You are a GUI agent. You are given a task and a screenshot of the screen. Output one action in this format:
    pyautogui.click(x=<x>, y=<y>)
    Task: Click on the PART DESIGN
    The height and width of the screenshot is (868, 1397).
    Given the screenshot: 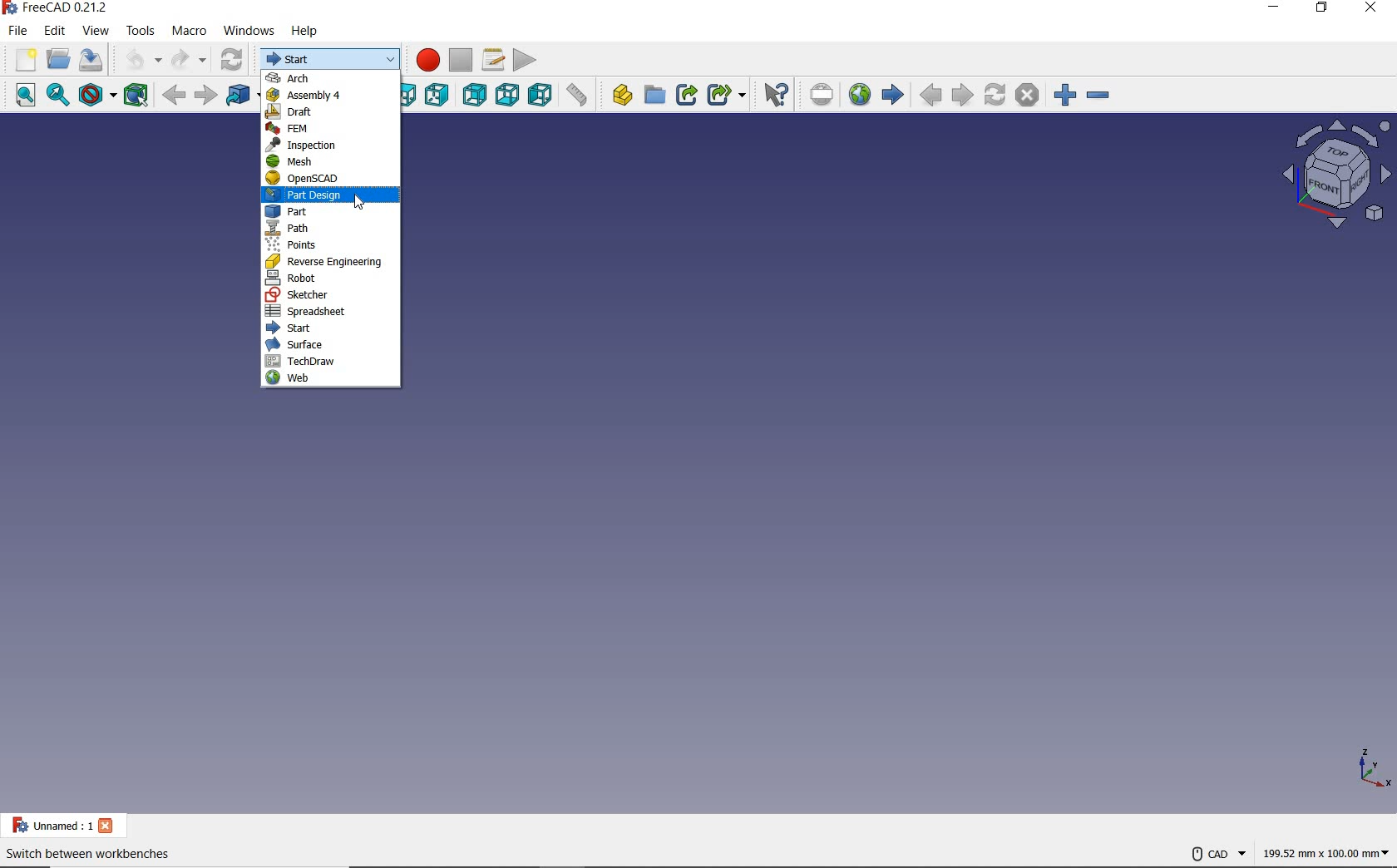 What is the action you would take?
    pyautogui.click(x=326, y=196)
    